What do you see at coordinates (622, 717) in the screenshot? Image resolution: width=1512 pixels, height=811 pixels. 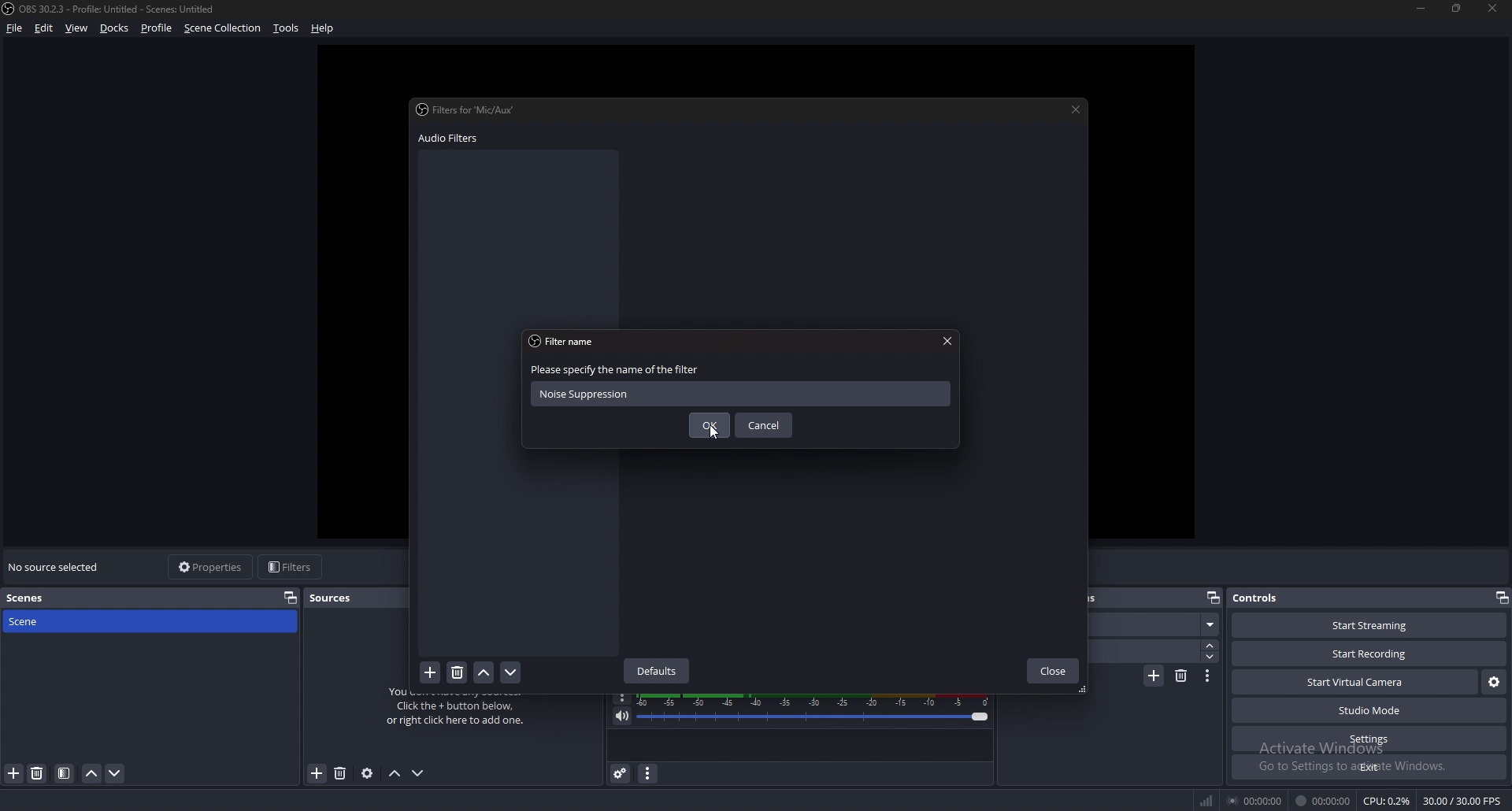 I see `mute` at bounding box center [622, 717].